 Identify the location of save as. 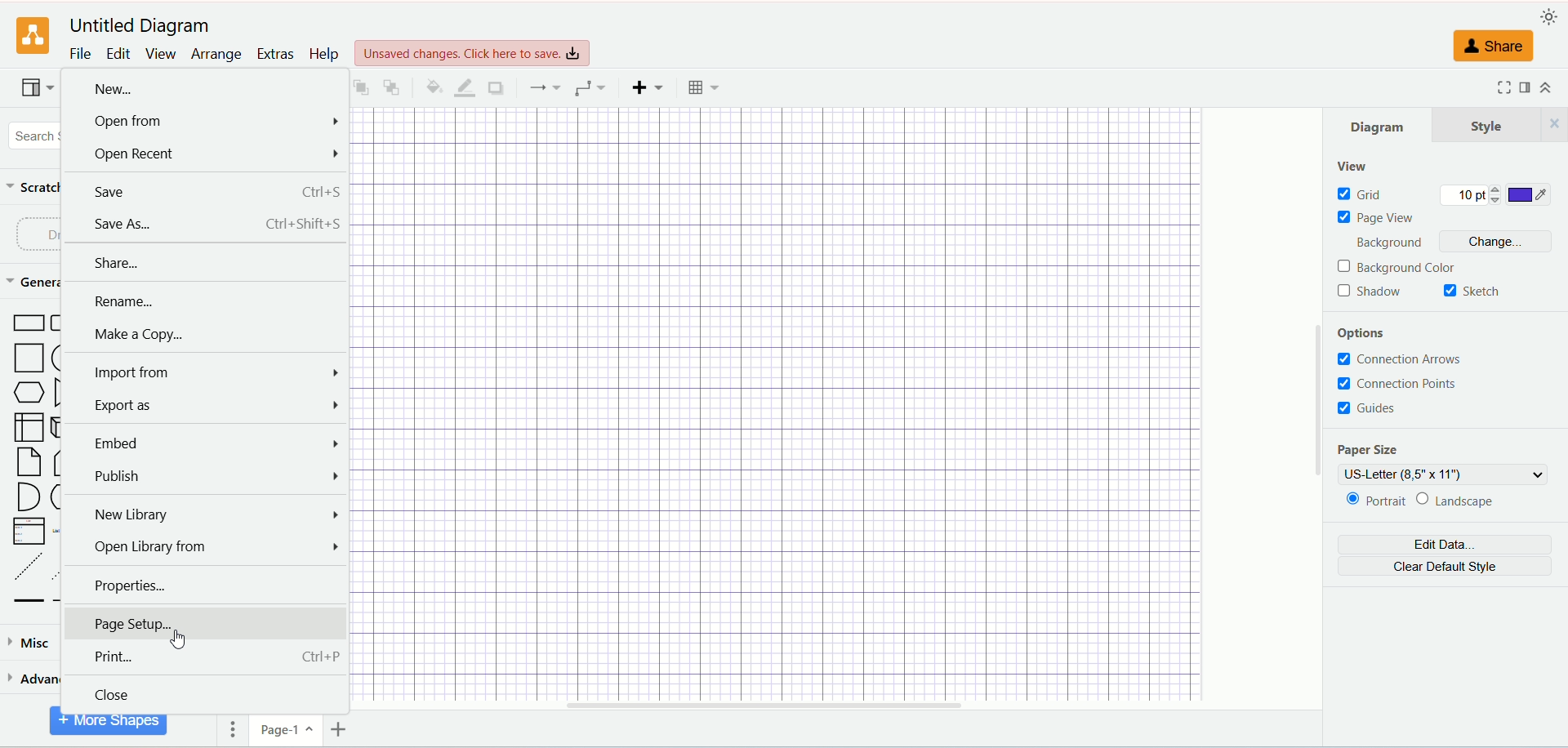
(204, 223).